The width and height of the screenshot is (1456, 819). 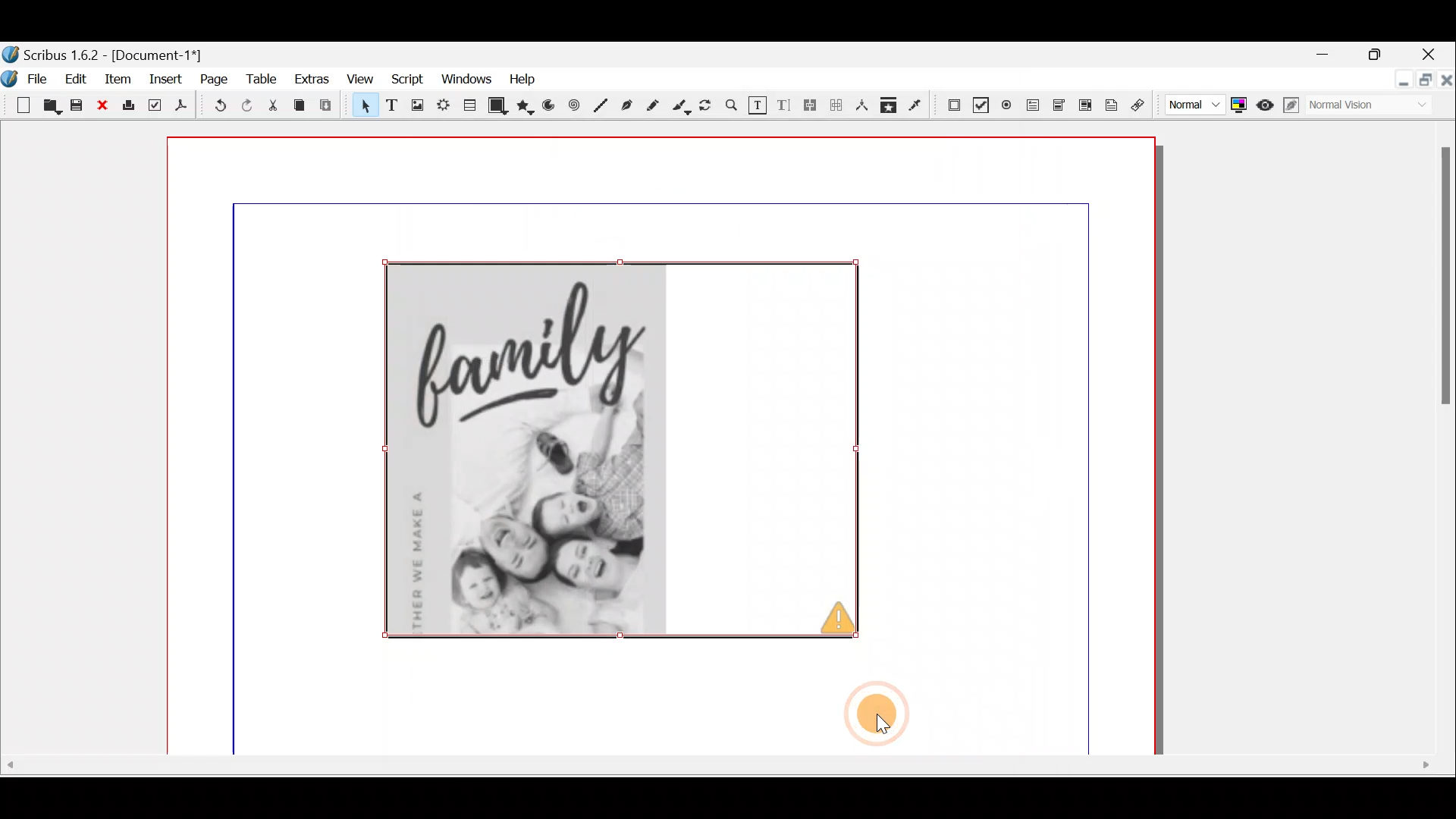 I want to click on Edit contents of frame, so click(x=756, y=104).